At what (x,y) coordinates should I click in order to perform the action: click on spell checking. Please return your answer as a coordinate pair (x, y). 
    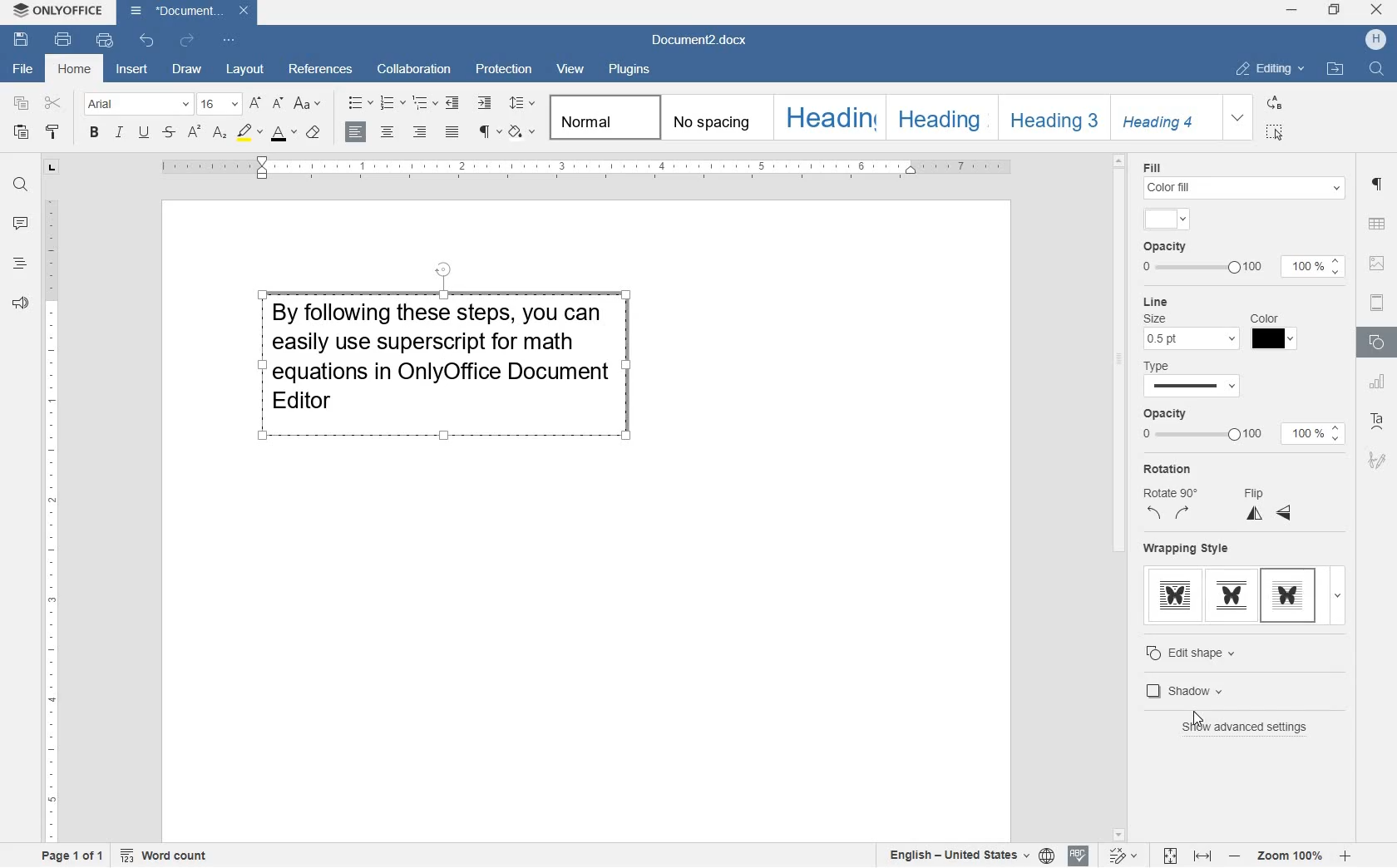
    Looking at the image, I should click on (1079, 856).